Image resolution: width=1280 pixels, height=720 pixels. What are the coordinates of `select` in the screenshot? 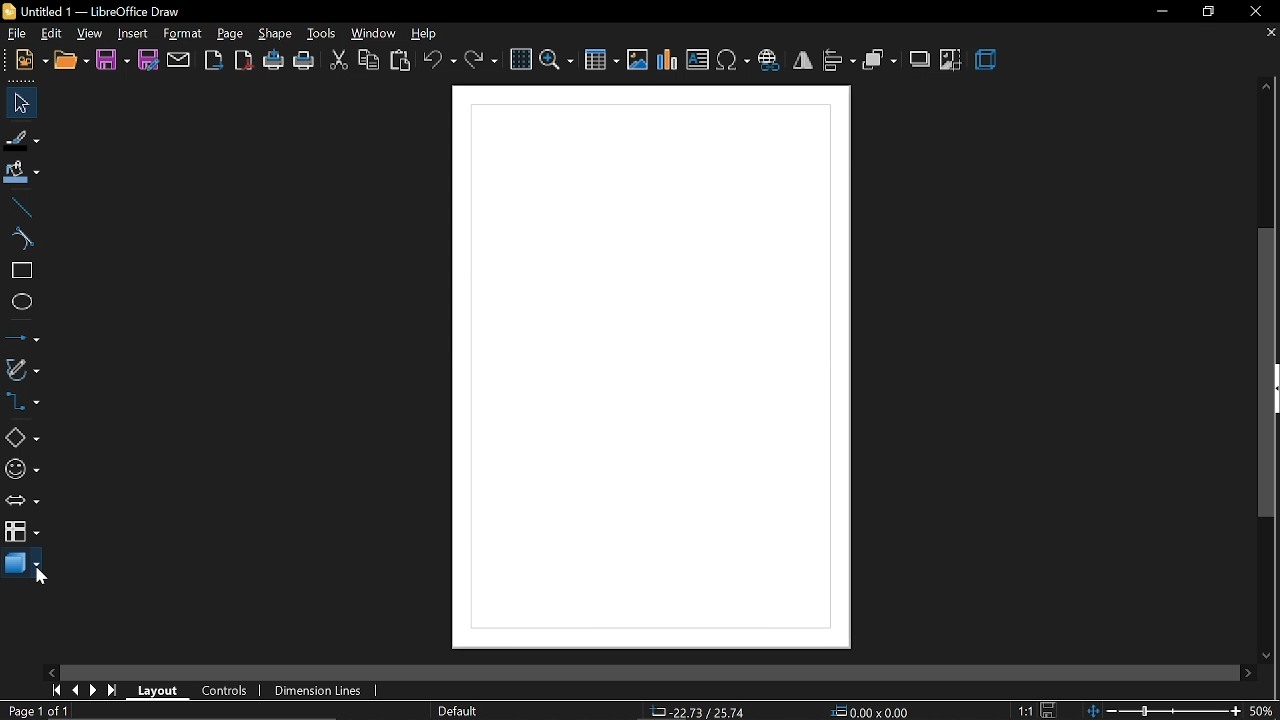 It's located at (17, 102).